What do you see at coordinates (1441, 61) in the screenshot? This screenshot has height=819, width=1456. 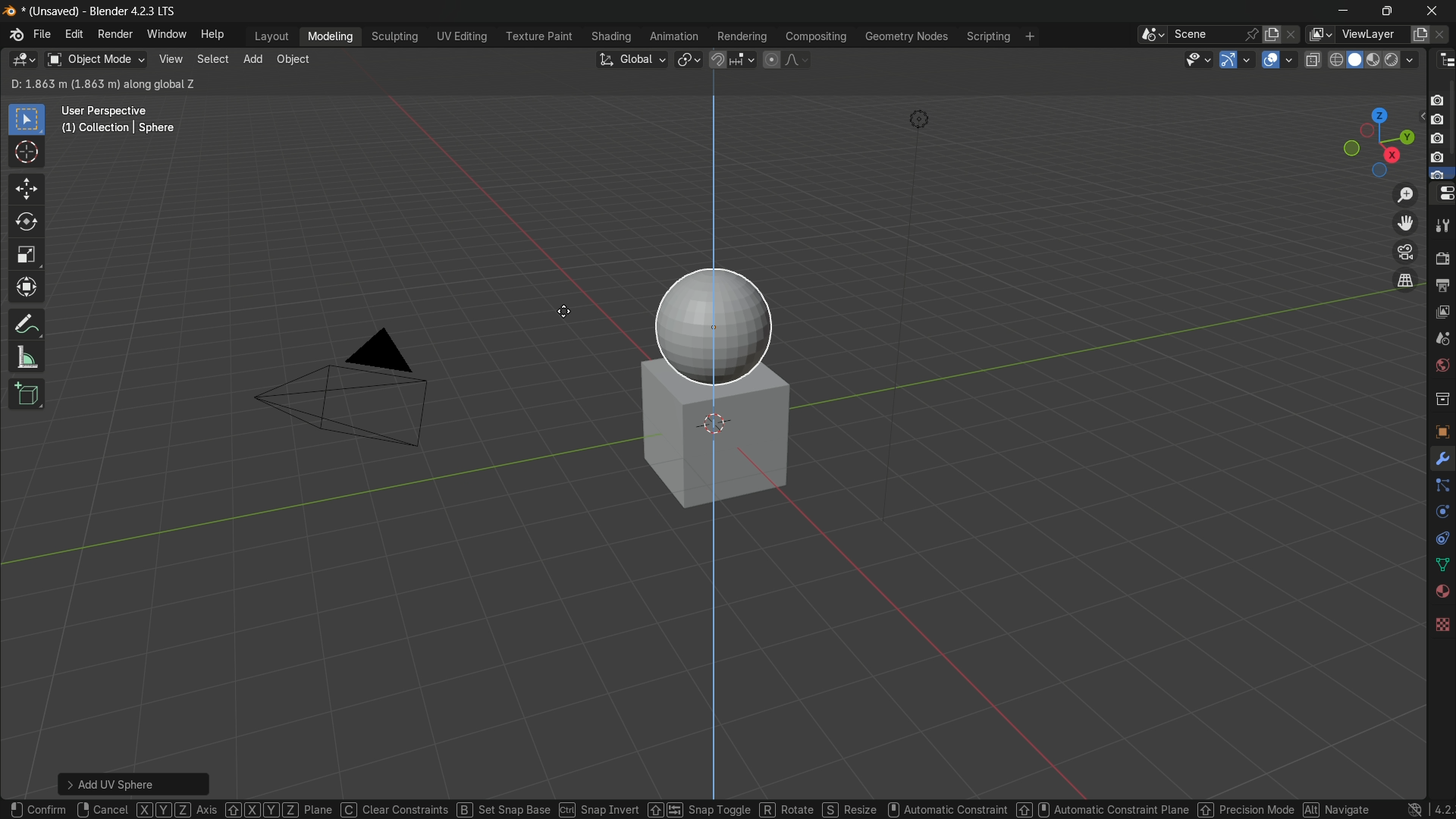 I see `outliner` at bounding box center [1441, 61].